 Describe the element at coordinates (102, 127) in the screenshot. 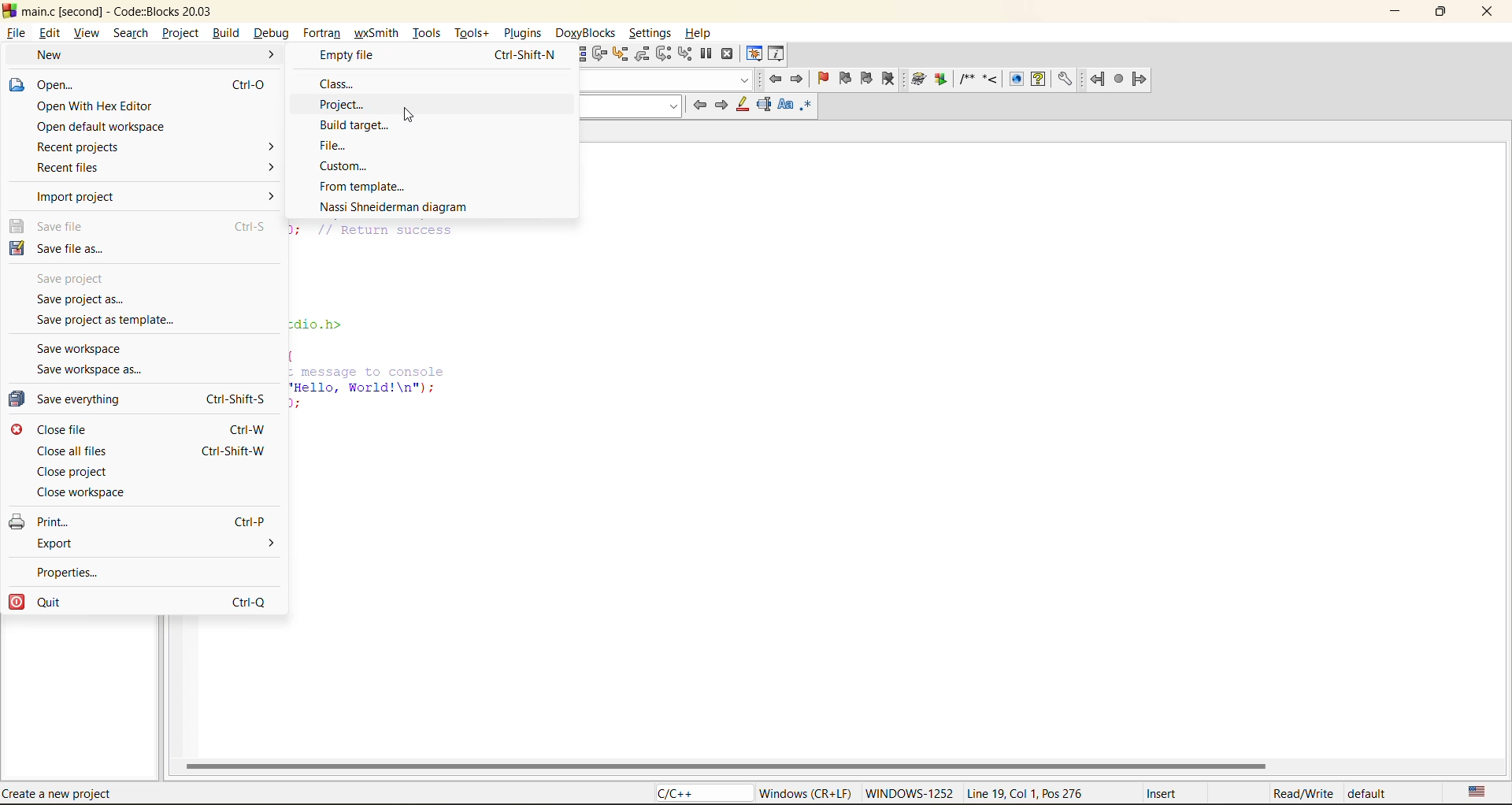

I see `open default workspace` at that location.